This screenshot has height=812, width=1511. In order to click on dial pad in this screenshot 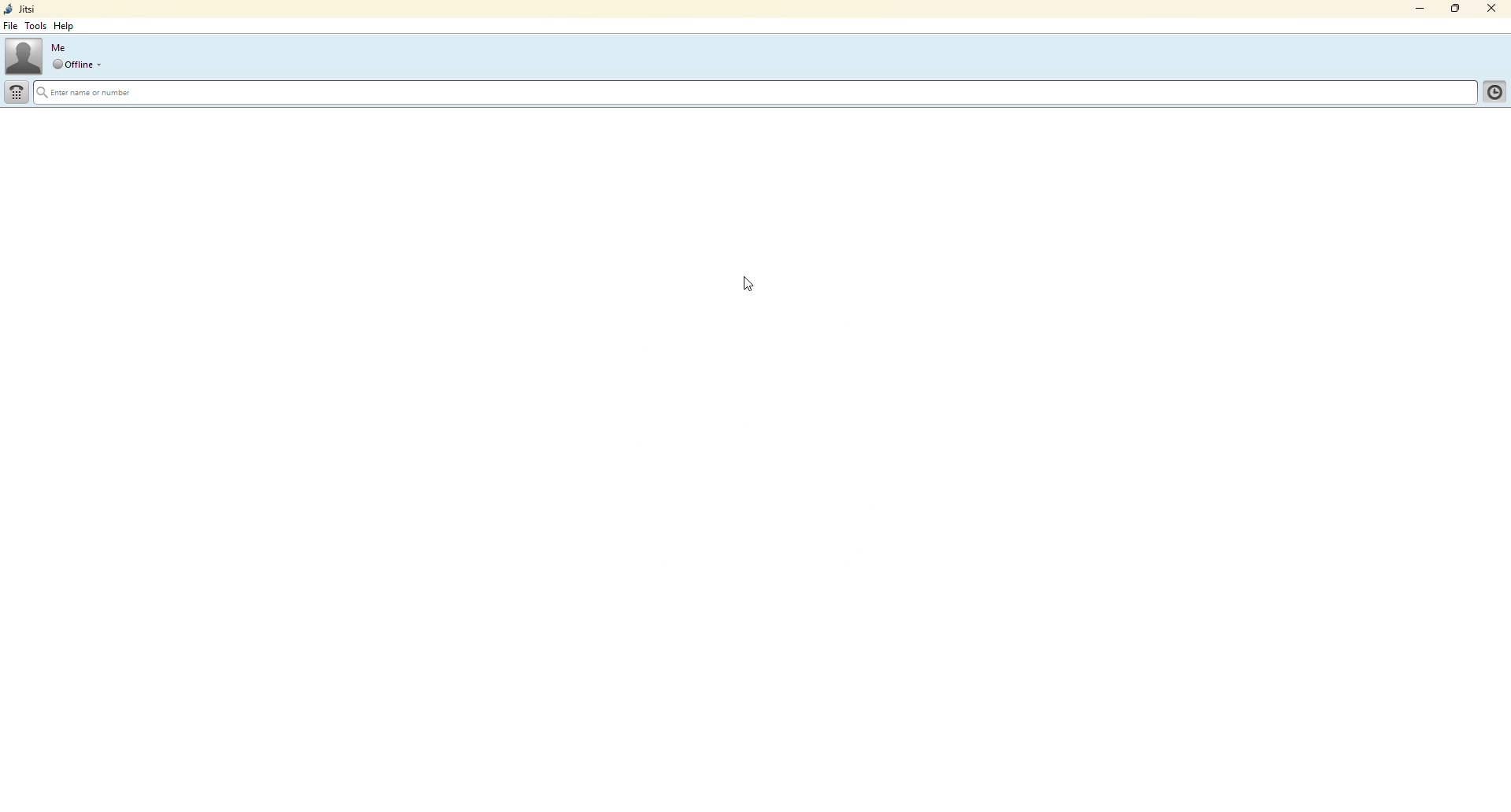, I will do `click(17, 93)`.